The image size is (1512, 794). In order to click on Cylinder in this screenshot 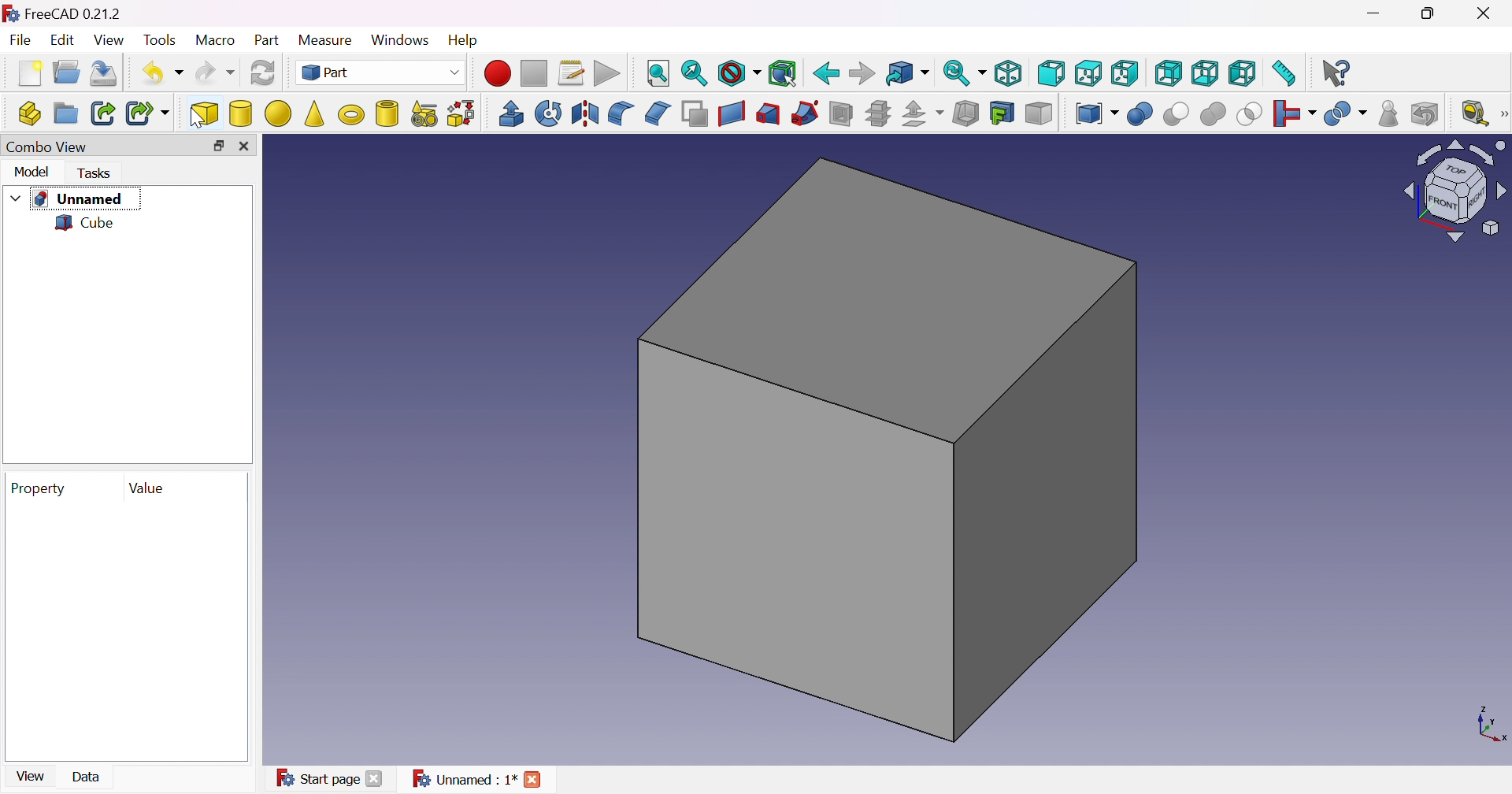, I will do `click(241, 114)`.